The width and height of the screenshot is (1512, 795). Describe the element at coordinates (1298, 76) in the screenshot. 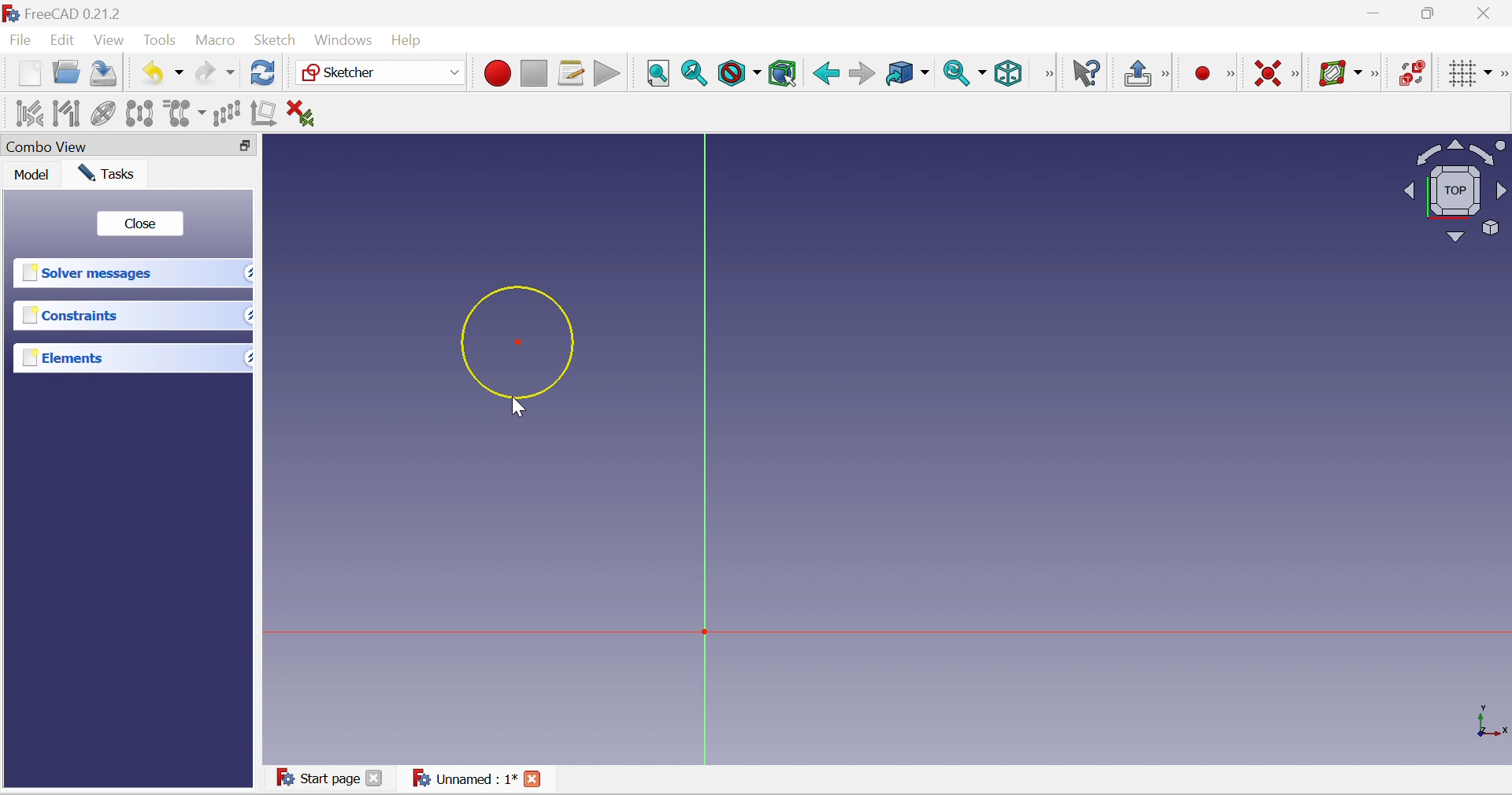

I see `[Sketcher constraints]]` at that location.